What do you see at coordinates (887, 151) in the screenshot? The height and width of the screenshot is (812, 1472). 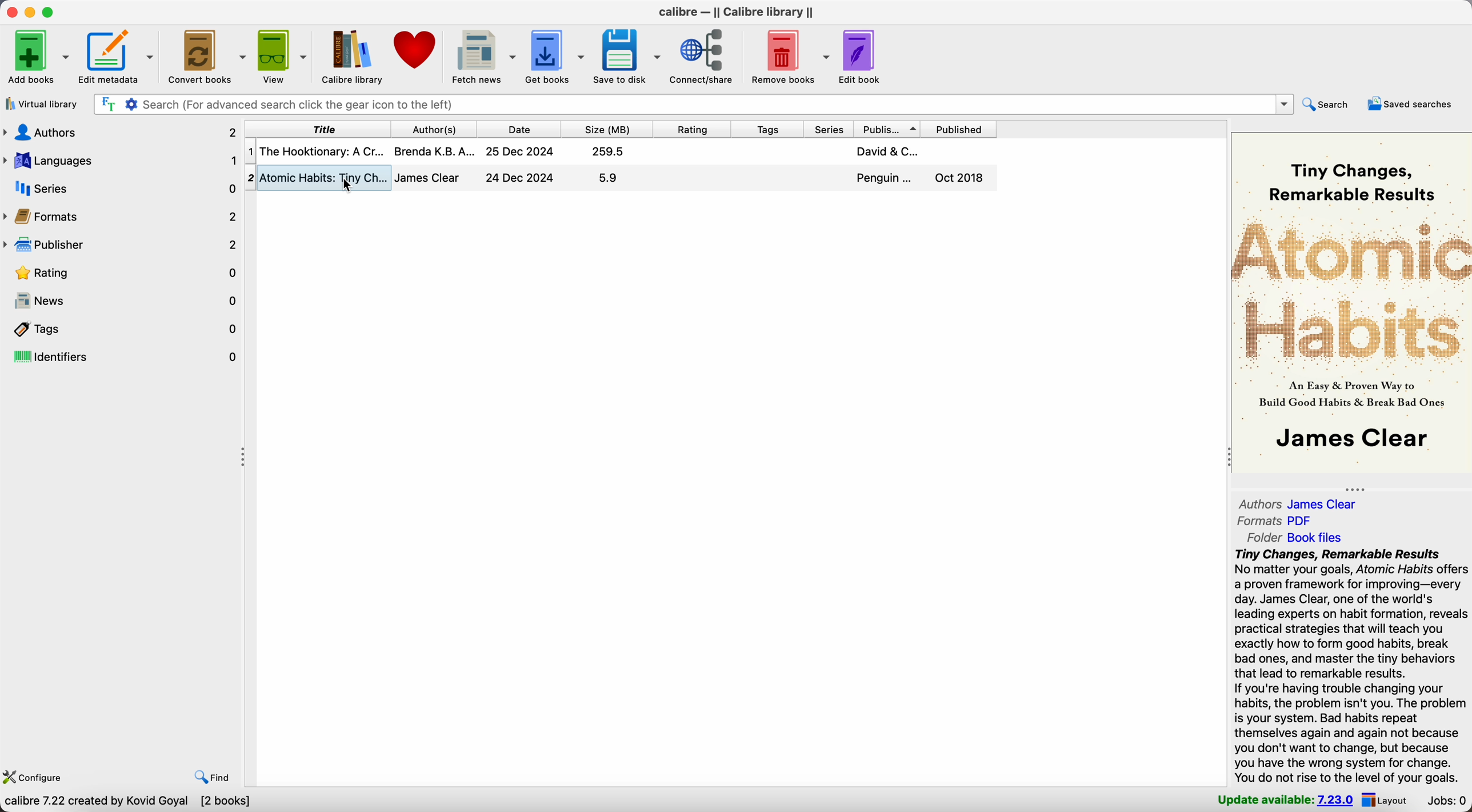 I see `David & C` at bounding box center [887, 151].